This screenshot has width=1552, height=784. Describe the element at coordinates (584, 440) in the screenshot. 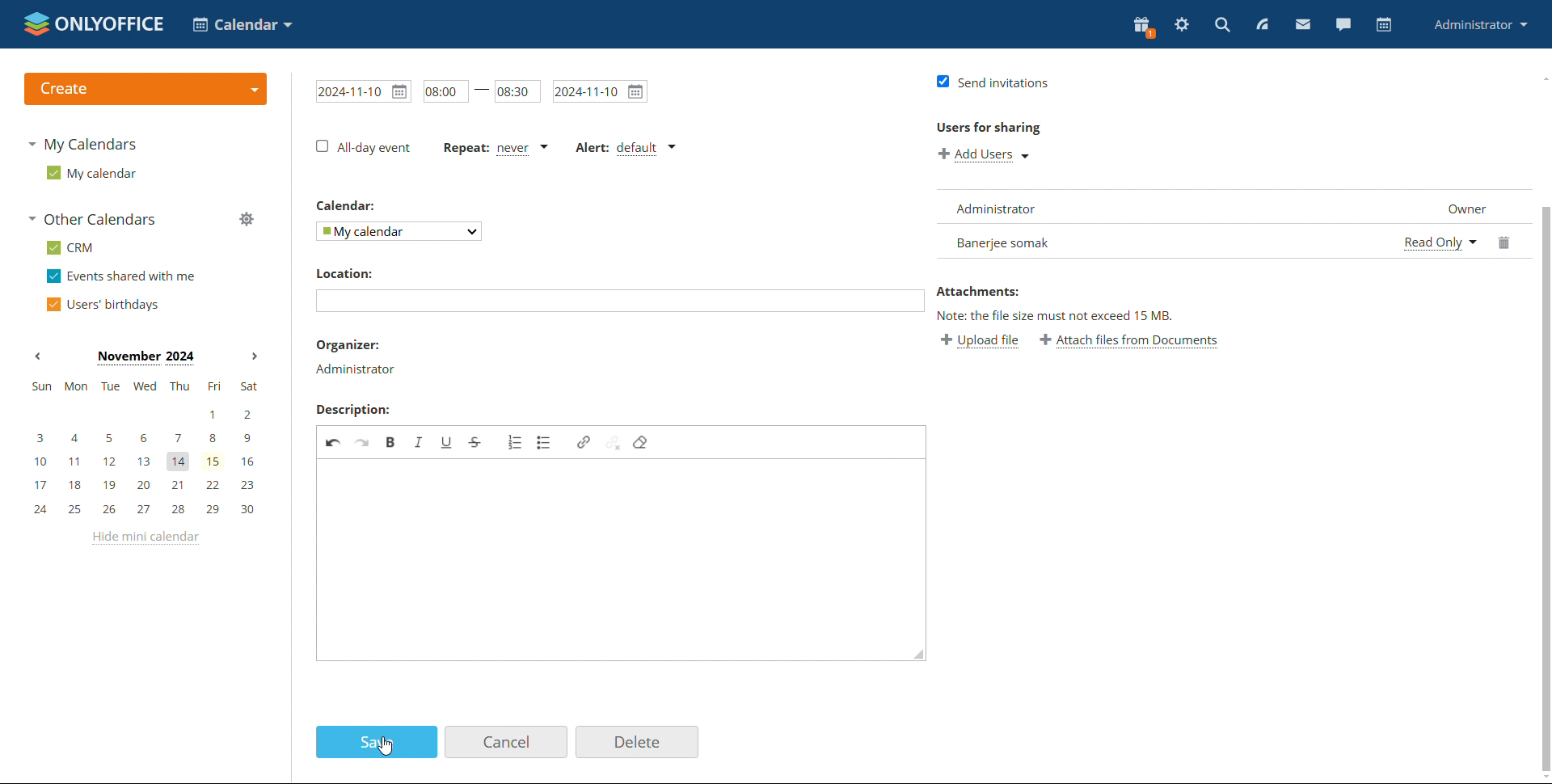

I see `link` at that location.